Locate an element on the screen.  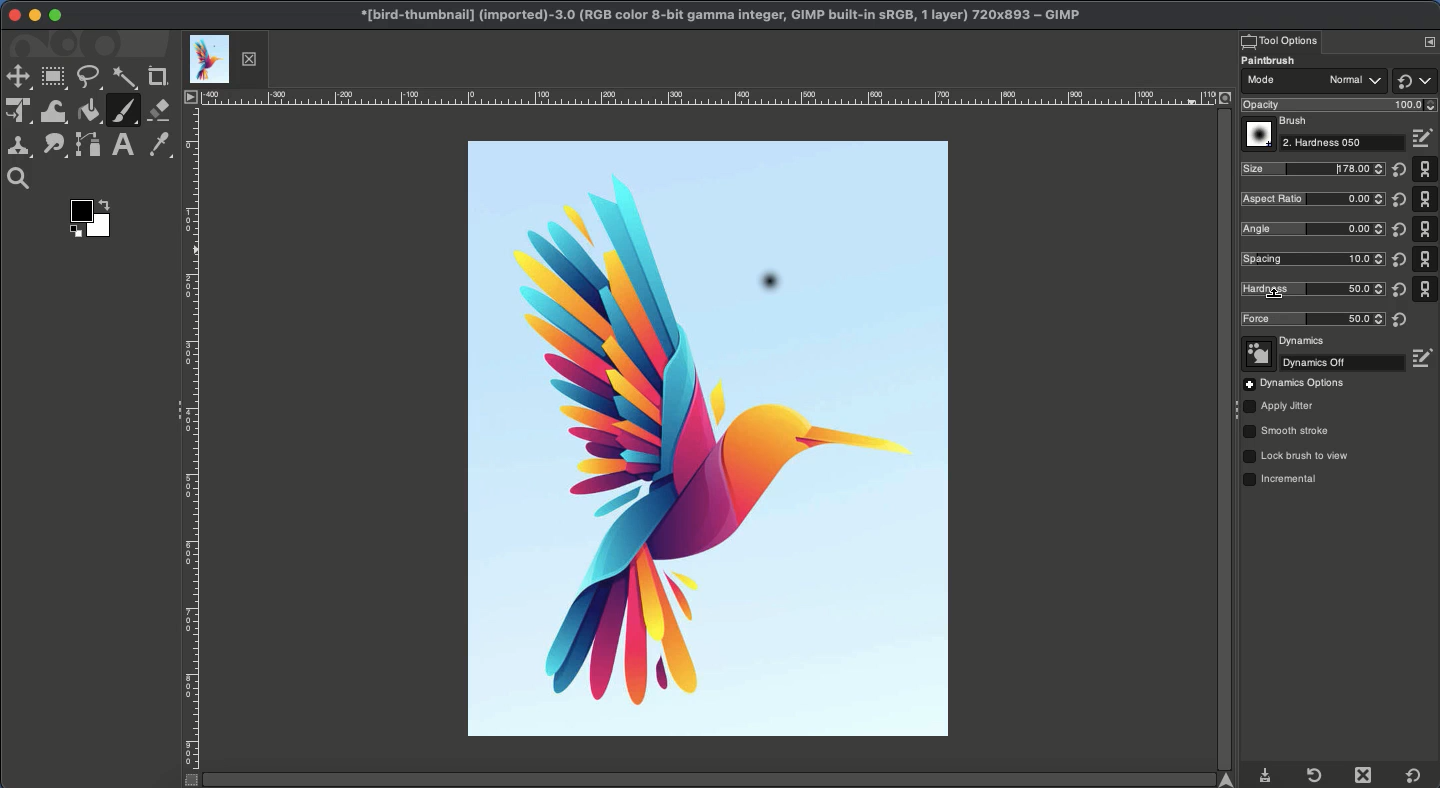
Options is located at coordinates (1294, 384).